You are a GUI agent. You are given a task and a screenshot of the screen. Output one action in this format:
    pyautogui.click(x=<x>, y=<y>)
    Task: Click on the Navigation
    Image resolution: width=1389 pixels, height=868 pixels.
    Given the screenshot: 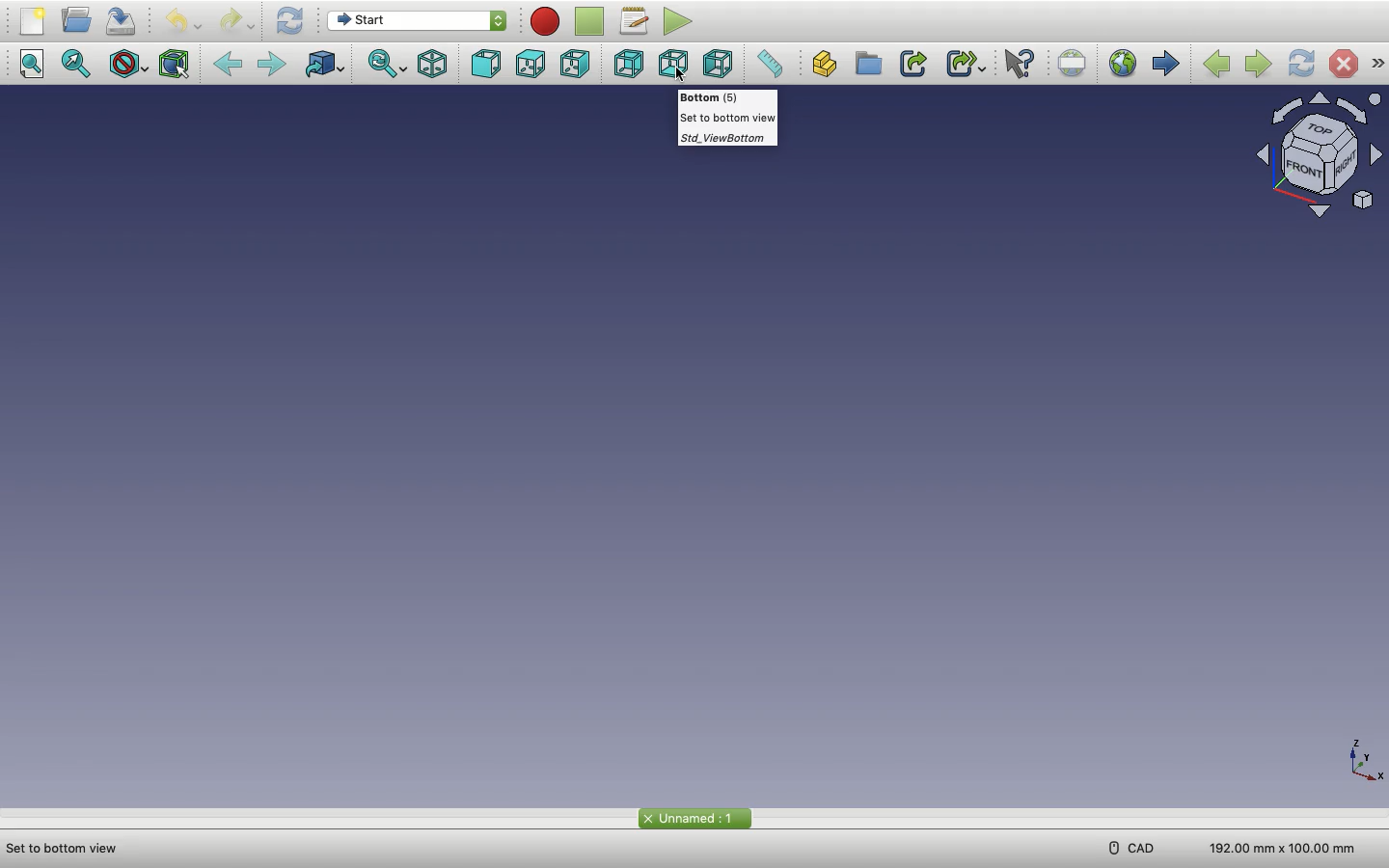 What is the action you would take?
    pyautogui.click(x=1377, y=64)
    